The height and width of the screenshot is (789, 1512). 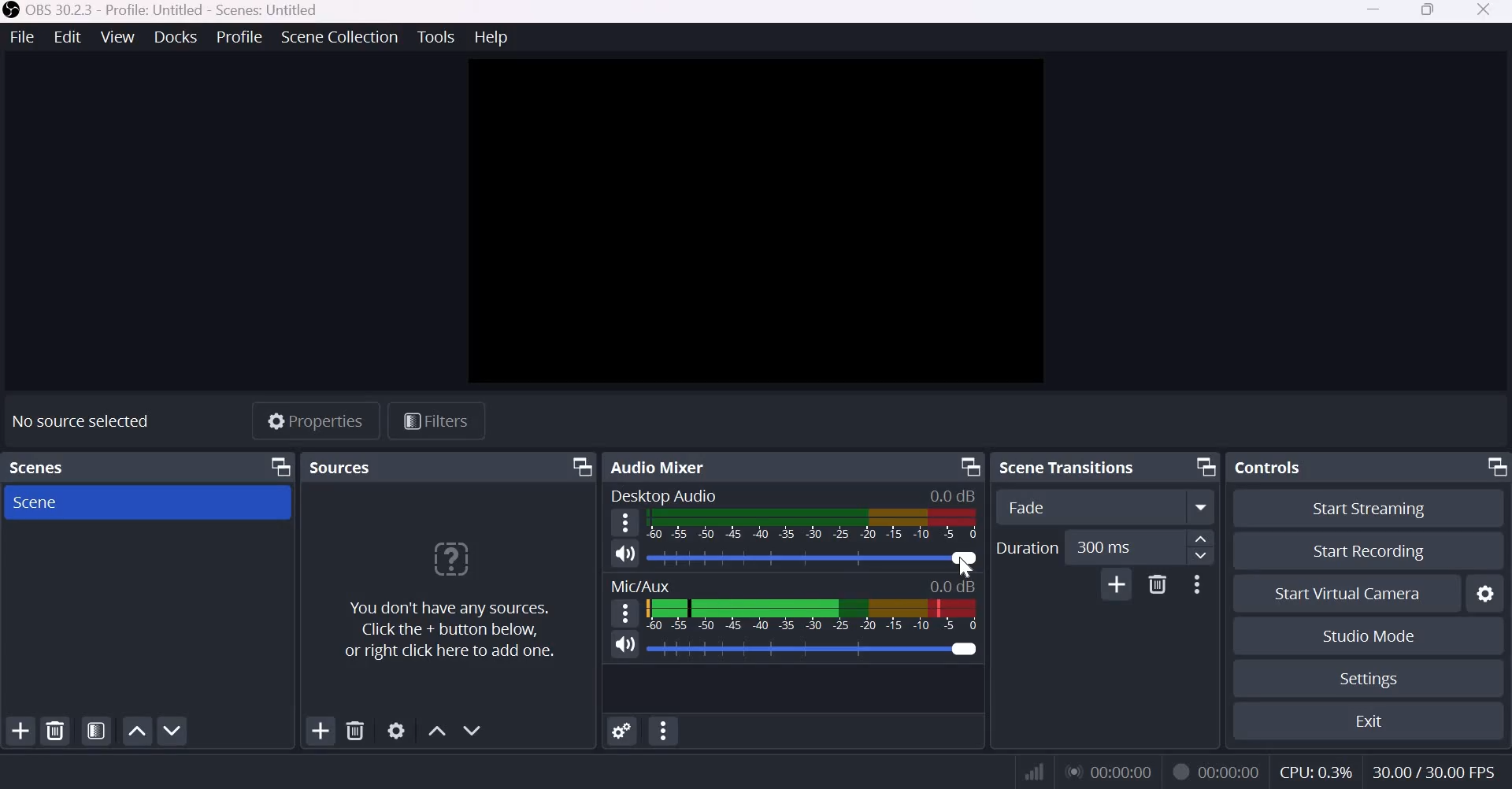 I want to click on Remove selected source(s), so click(x=357, y=731).